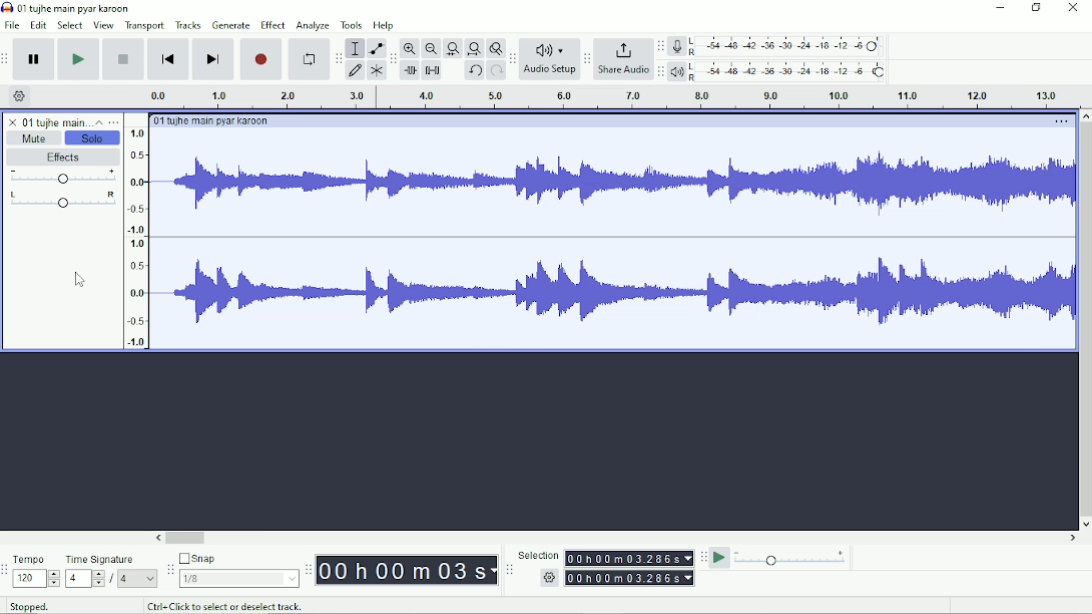 The width and height of the screenshot is (1092, 614). Describe the element at coordinates (549, 578) in the screenshot. I see `` at that location.